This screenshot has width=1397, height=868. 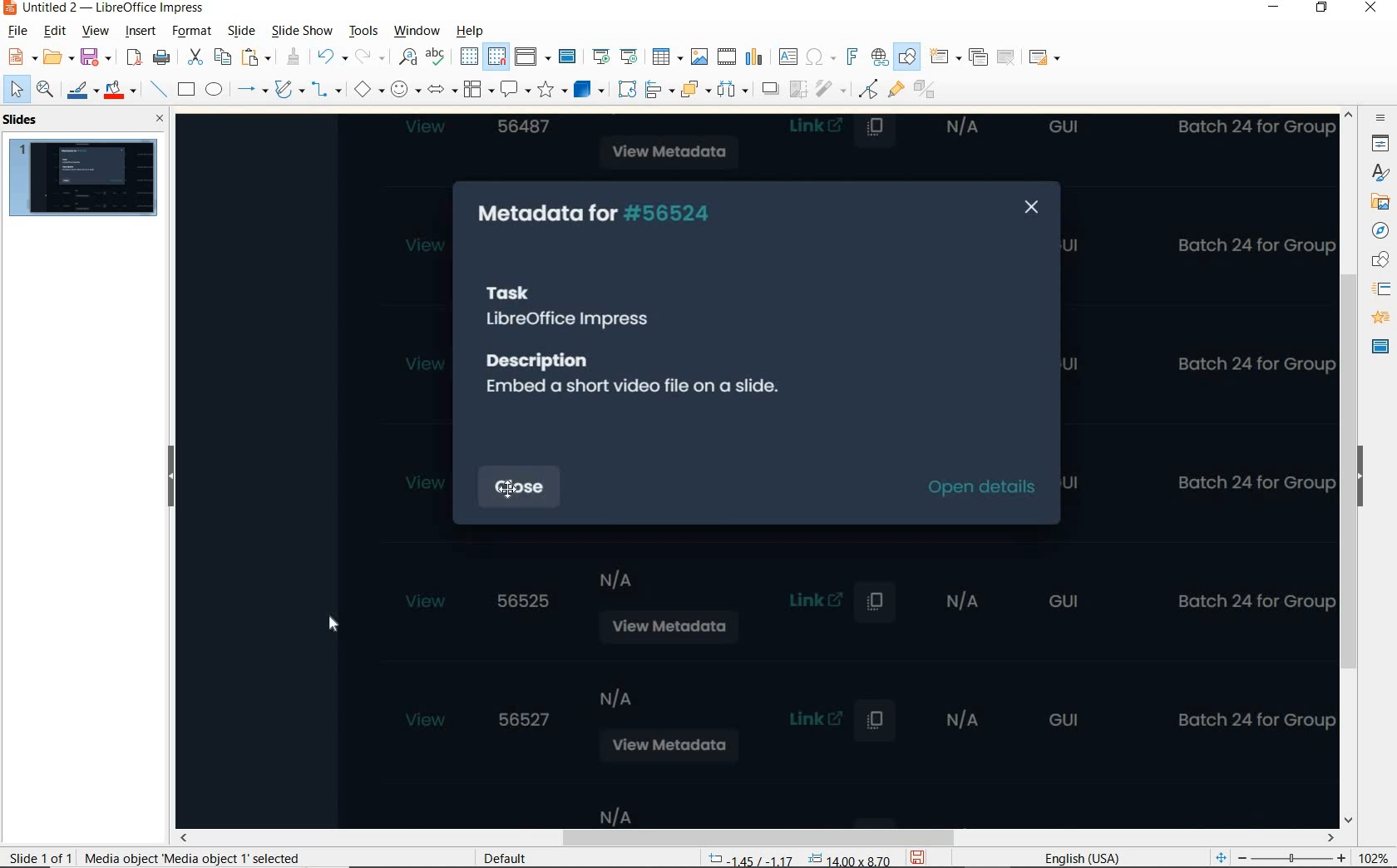 What do you see at coordinates (550, 91) in the screenshot?
I see `STARS AND BANNERS` at bounding box center [550, 91].